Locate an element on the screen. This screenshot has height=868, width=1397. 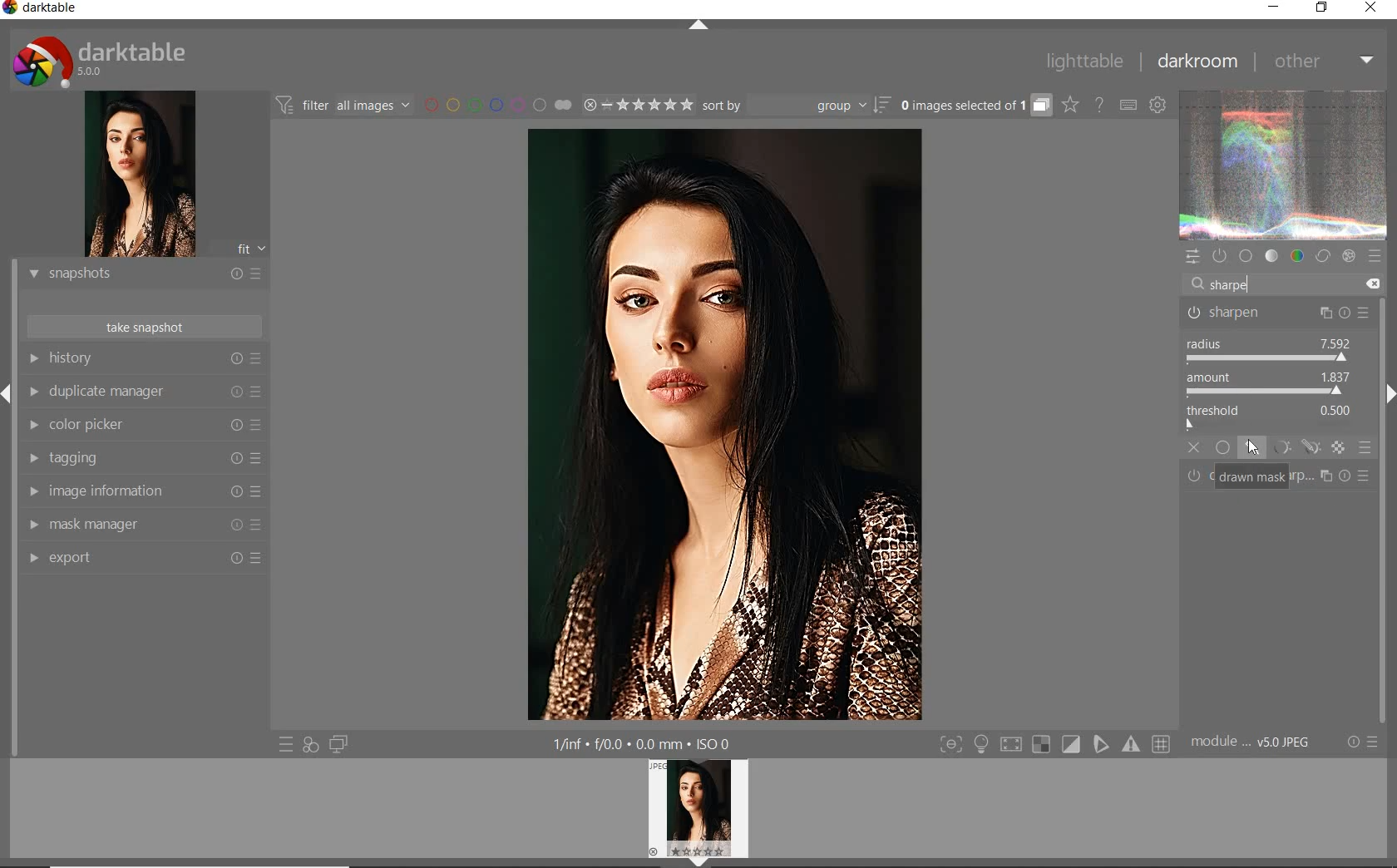
base is located at coordinates (1246, 255).